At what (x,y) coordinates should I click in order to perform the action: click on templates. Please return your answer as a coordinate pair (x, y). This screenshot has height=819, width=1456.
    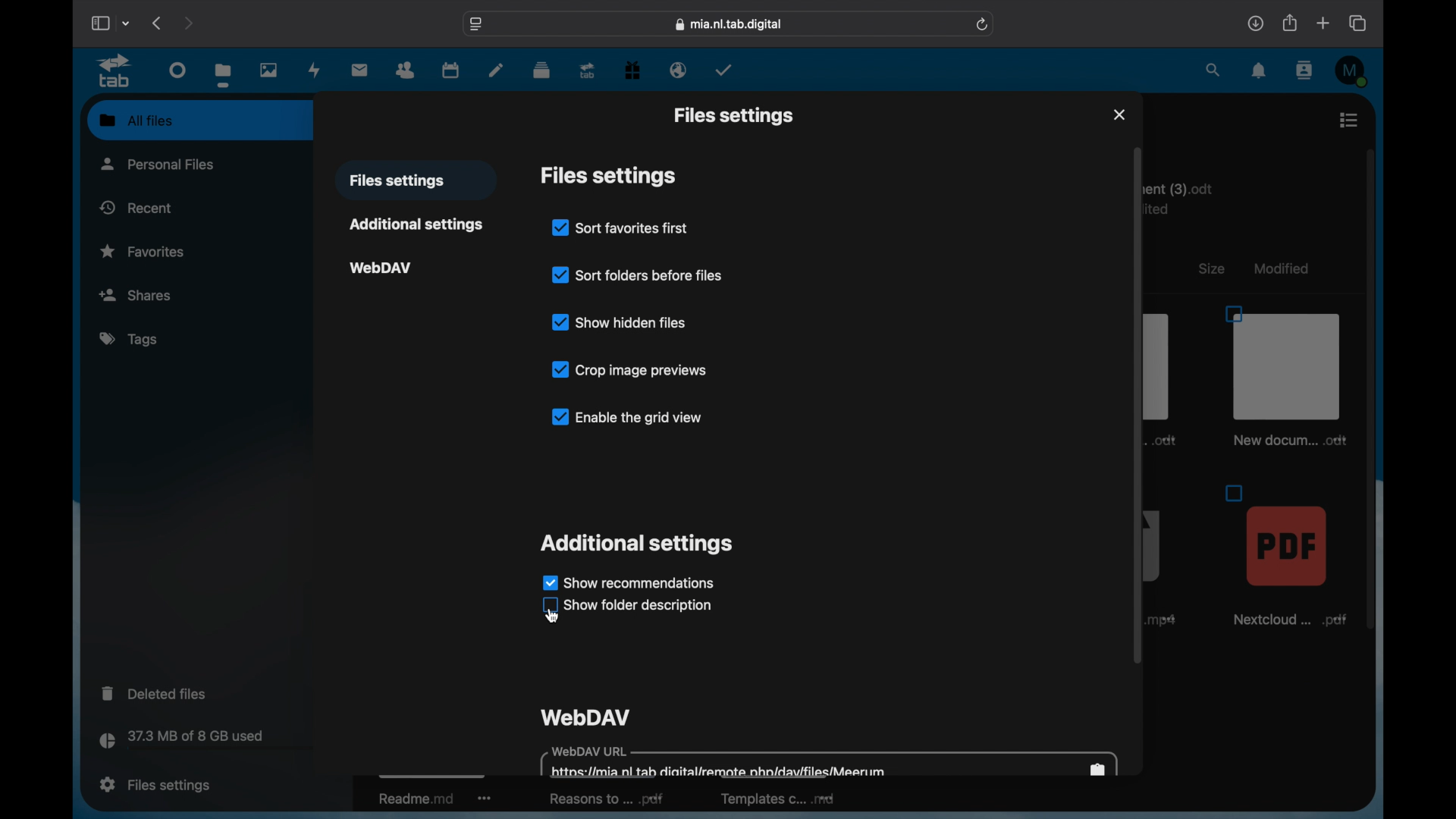
    Looking at the image, I should click on (777, 805).